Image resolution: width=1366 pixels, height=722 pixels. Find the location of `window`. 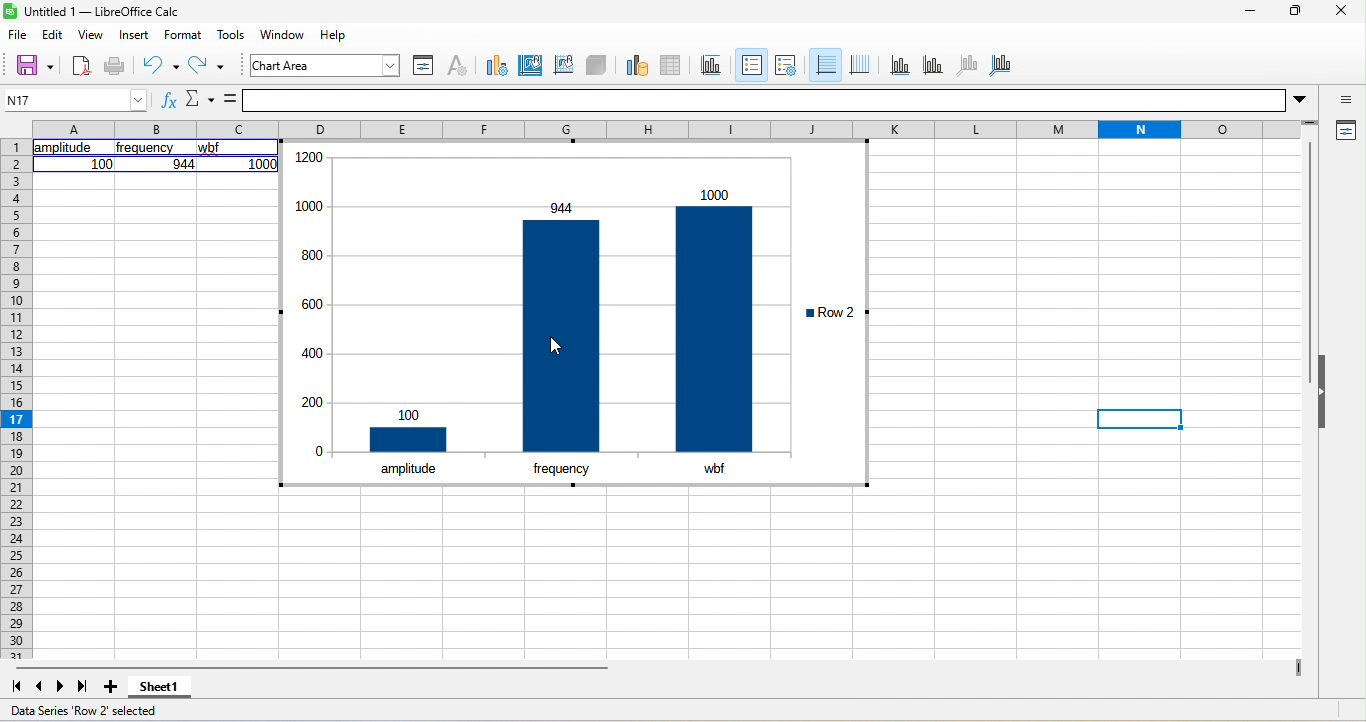

window is located at coordinates (278, 35).